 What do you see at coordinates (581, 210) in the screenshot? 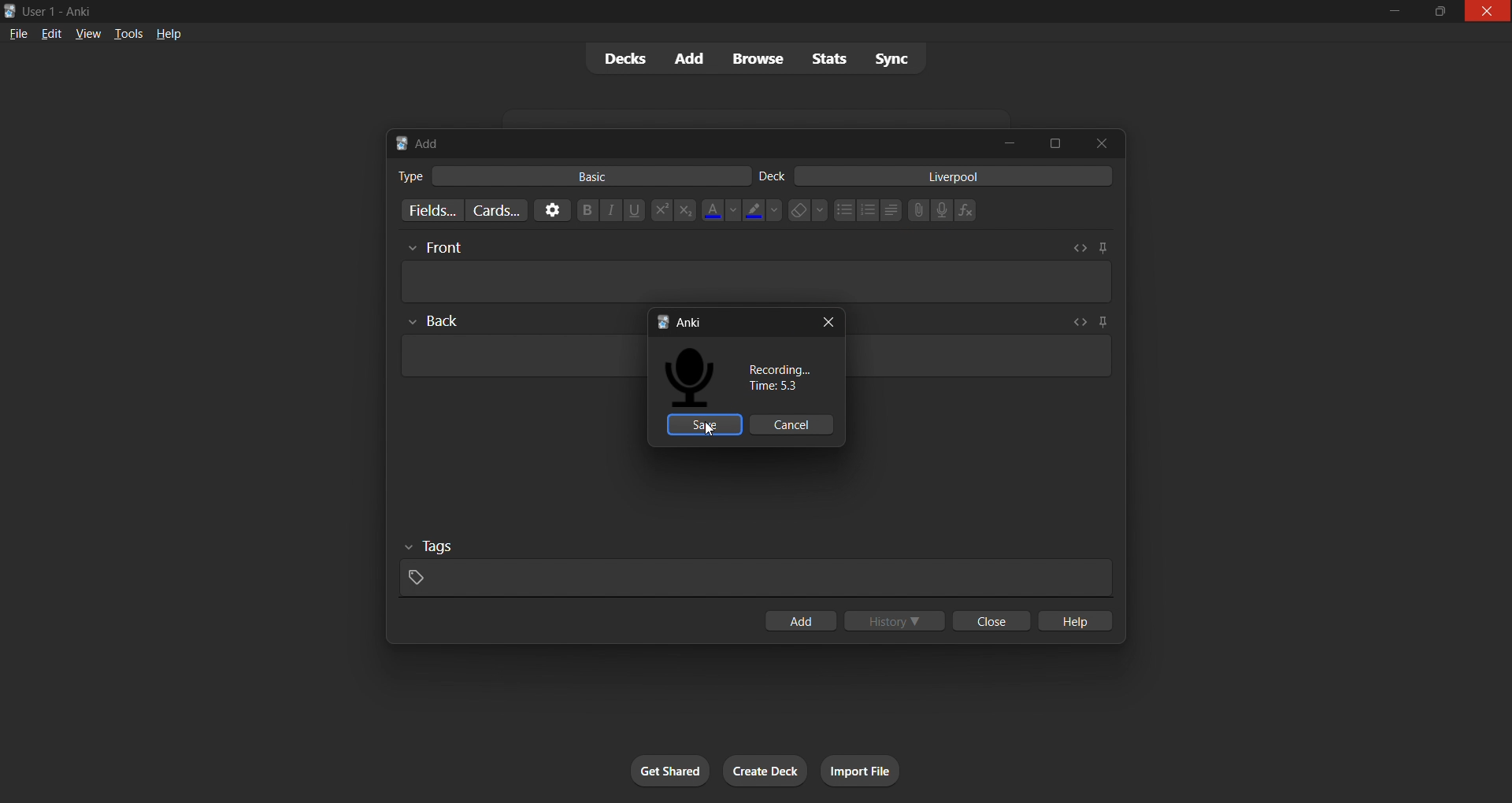
I see `bold` at bounding box center [581, 210].